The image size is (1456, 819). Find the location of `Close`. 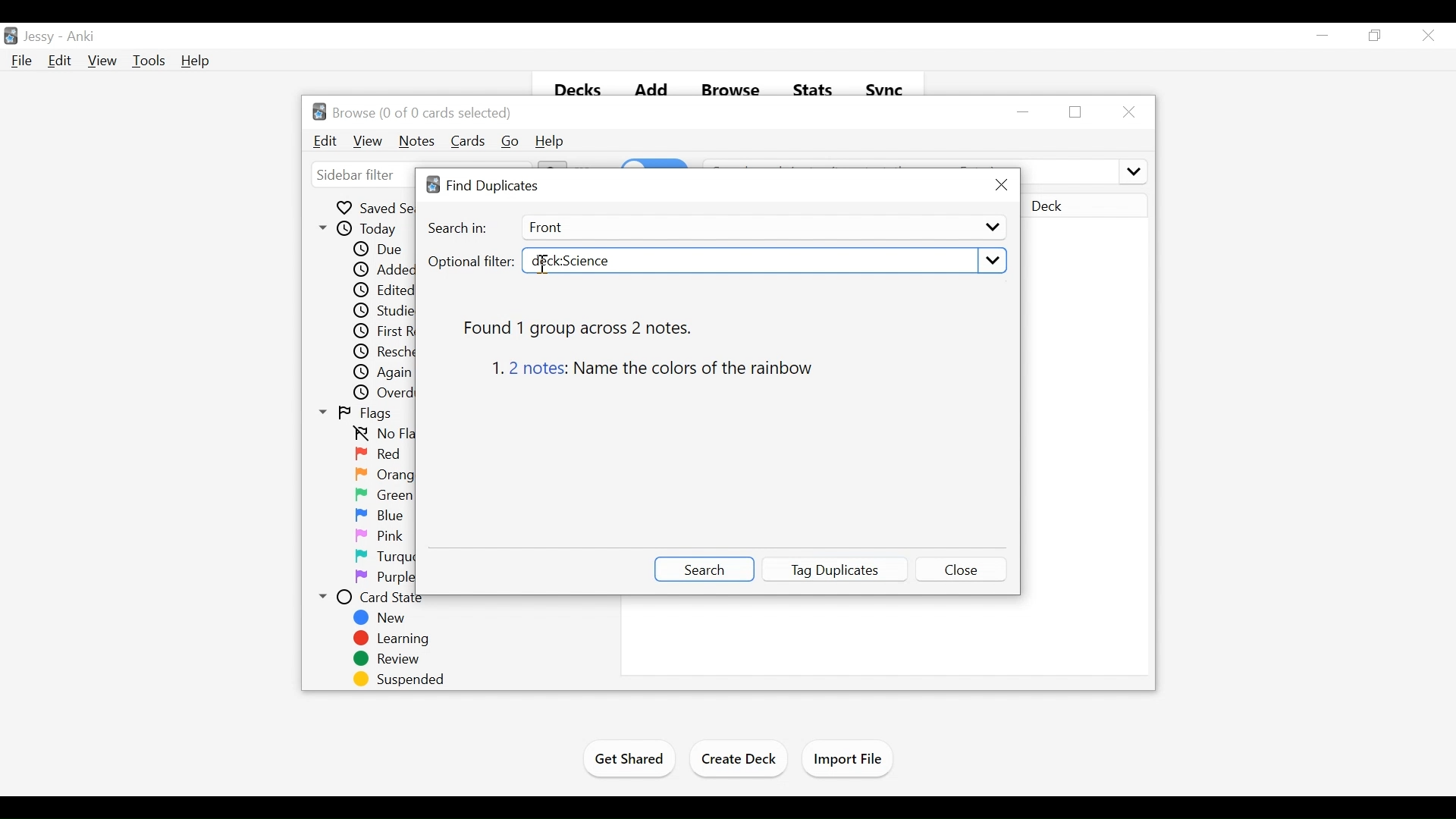

Close is located at coordinates (1000, 185).